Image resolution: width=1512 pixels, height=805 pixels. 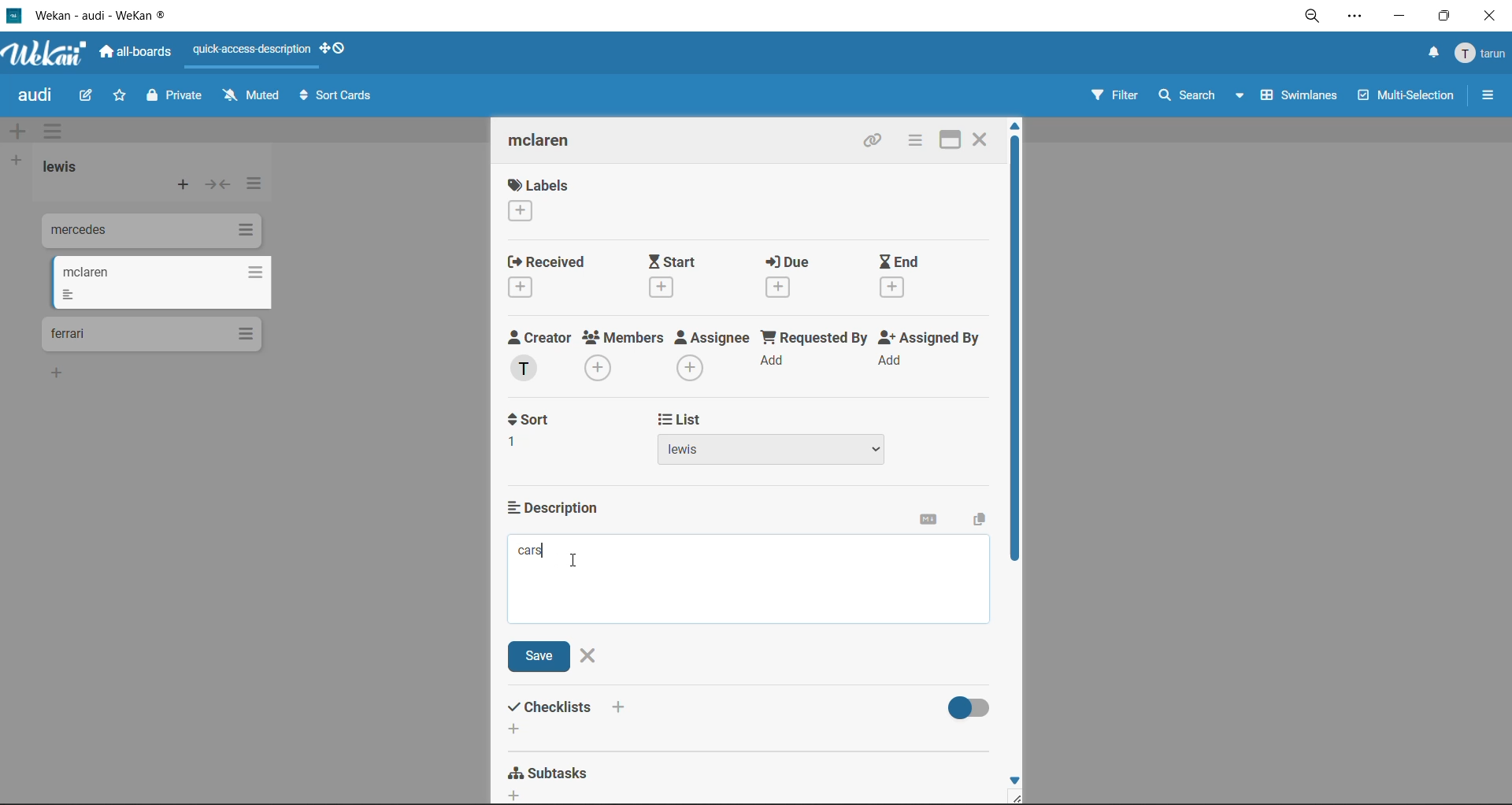 What do you see at coordinates (914, 140) in the screenshot?
I see `card actions` at bounding box center [914, 140].